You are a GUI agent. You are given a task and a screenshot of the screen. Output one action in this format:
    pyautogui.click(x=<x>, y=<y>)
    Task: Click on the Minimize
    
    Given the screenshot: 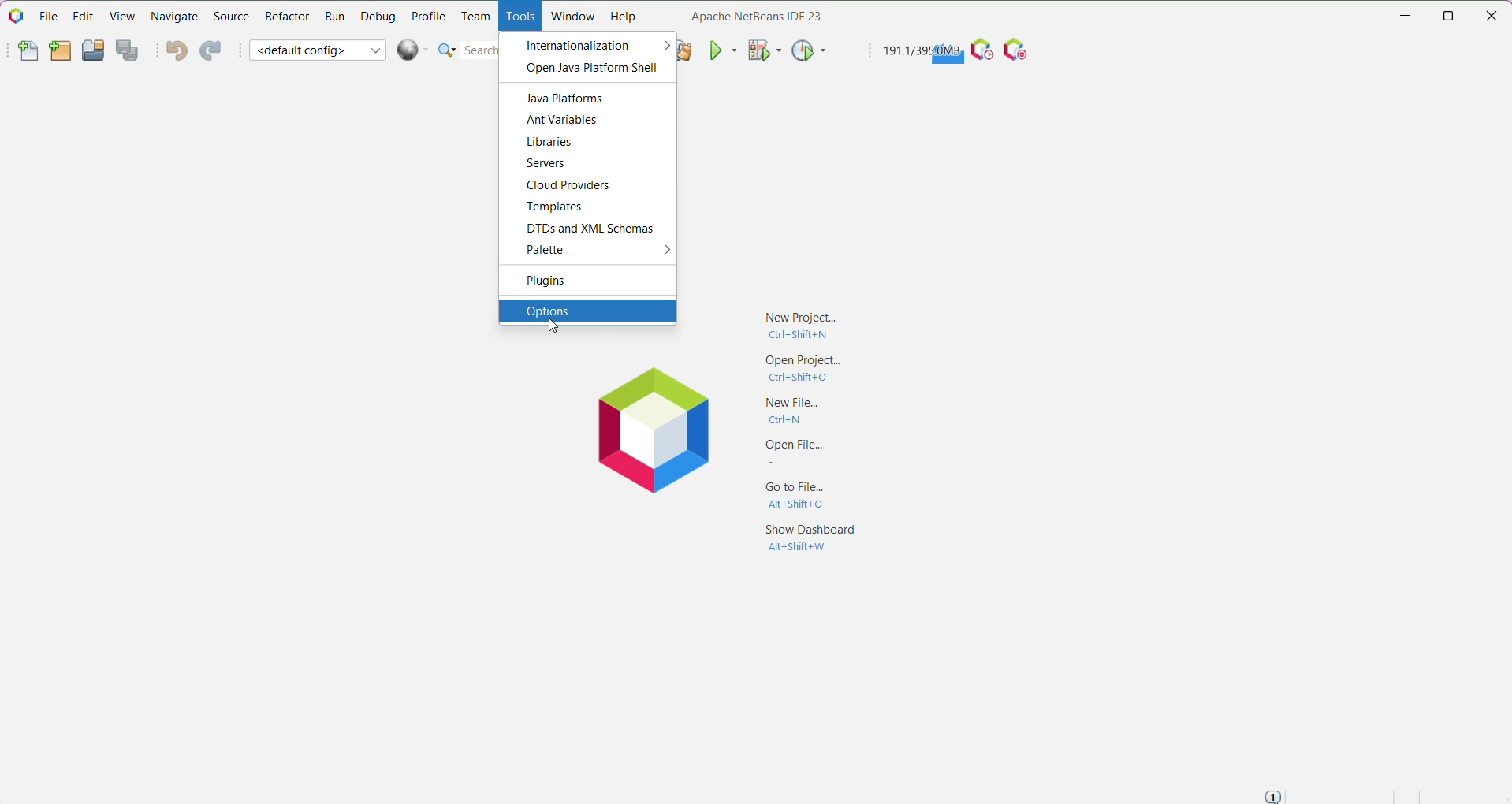 What is the action you would take?
    pyautogui.click(x=1401, y=16)
    